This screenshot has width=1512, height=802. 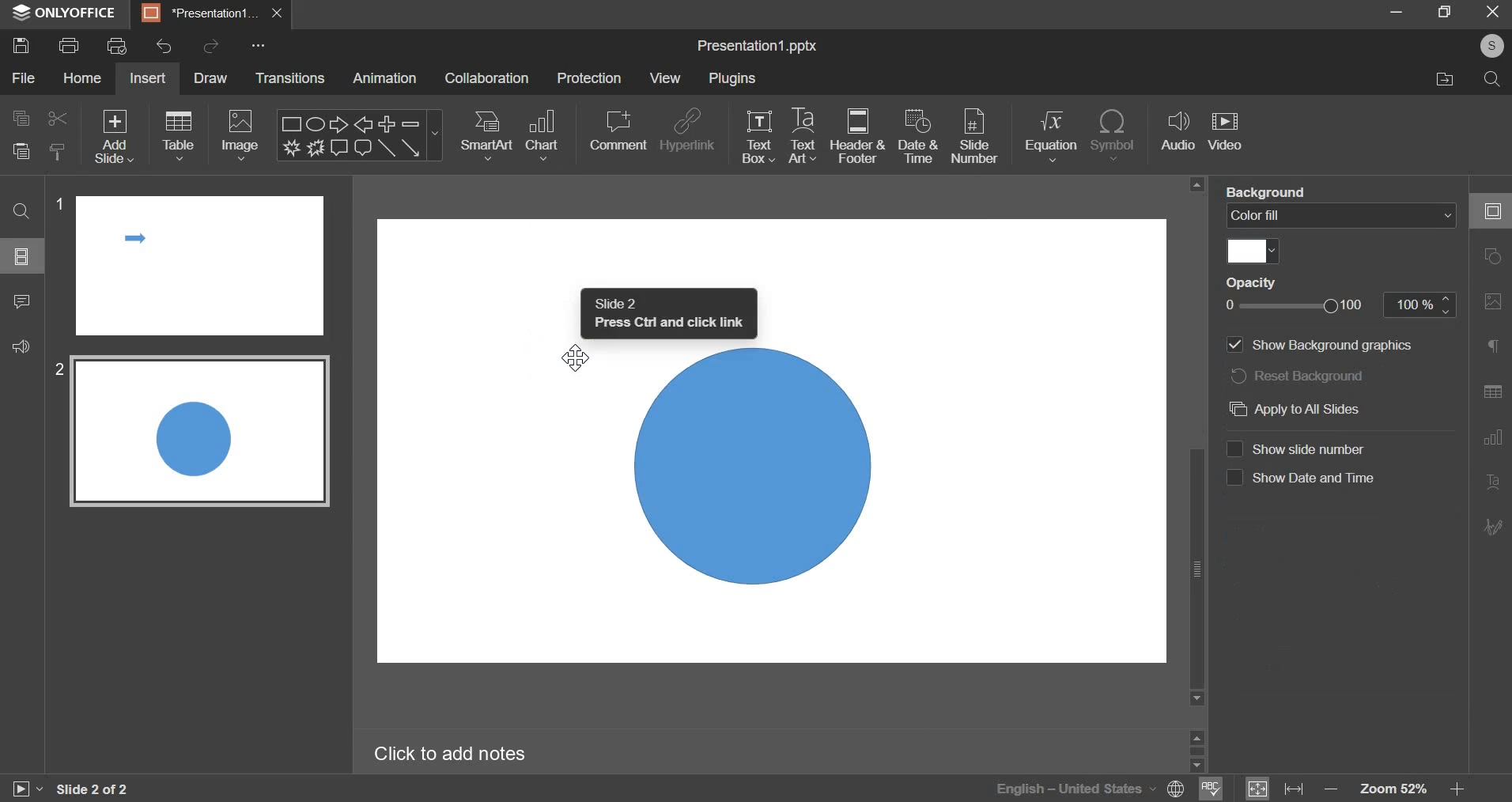 What do you see at coordinates (1180, 136) in the screenshot?
I see `audio` at bounding box center [1180, 136].